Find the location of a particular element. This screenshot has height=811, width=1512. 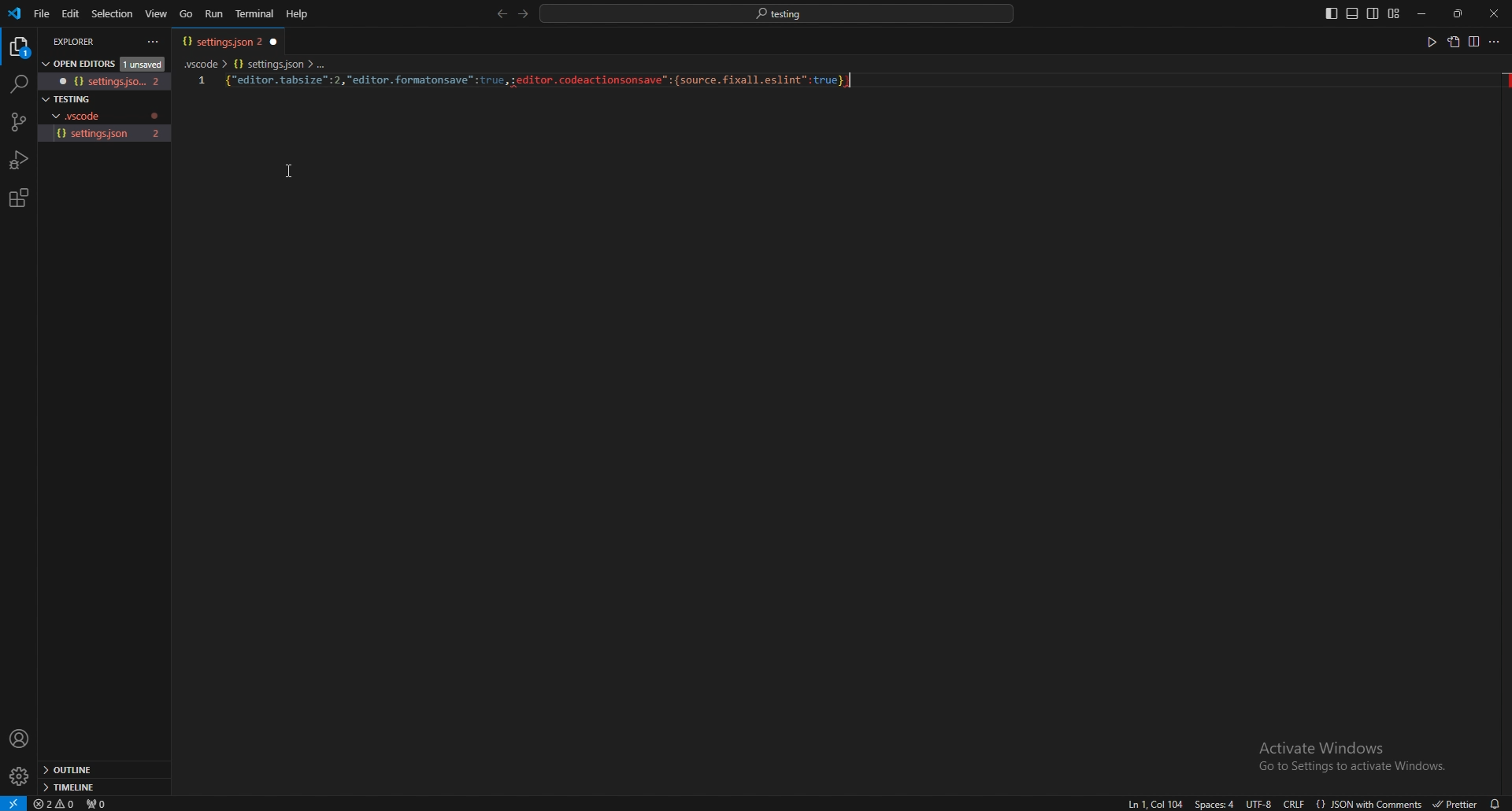

ports forwarded is located at coordinates (103, 804).